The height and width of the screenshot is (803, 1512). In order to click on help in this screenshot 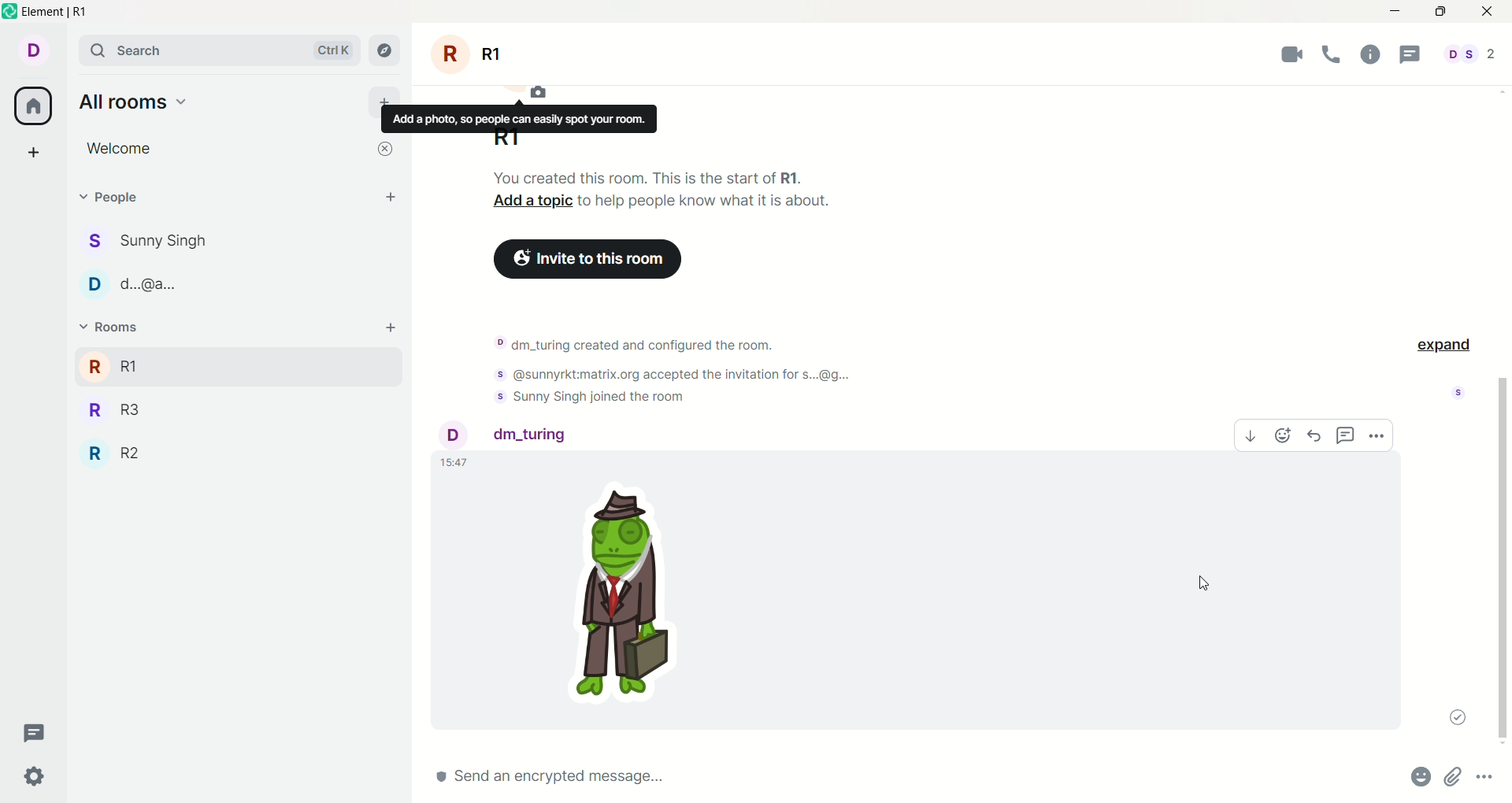, I will do `click(1371, 54)`.